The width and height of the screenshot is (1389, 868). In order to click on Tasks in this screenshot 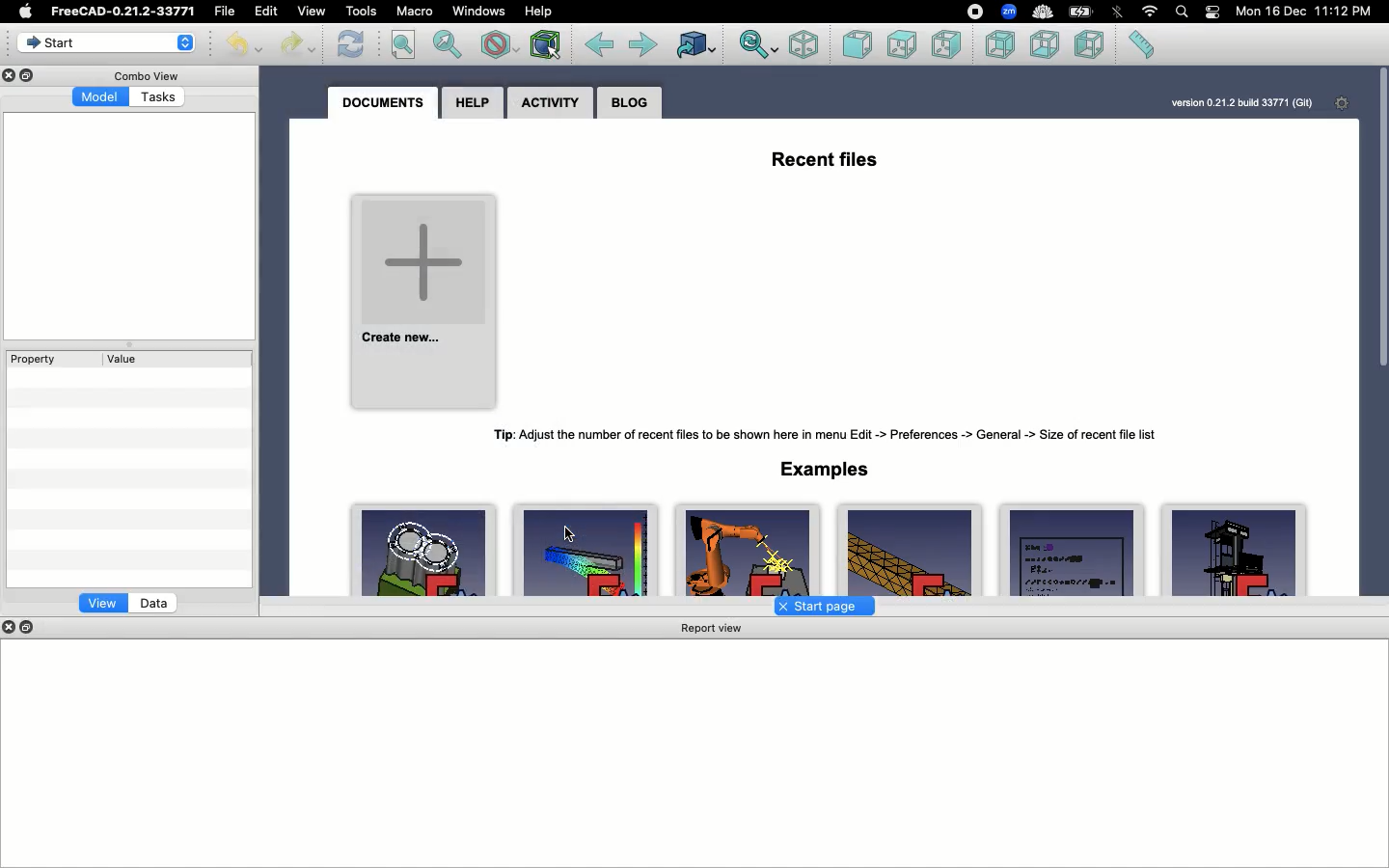, I will do `click(160, 95)`.